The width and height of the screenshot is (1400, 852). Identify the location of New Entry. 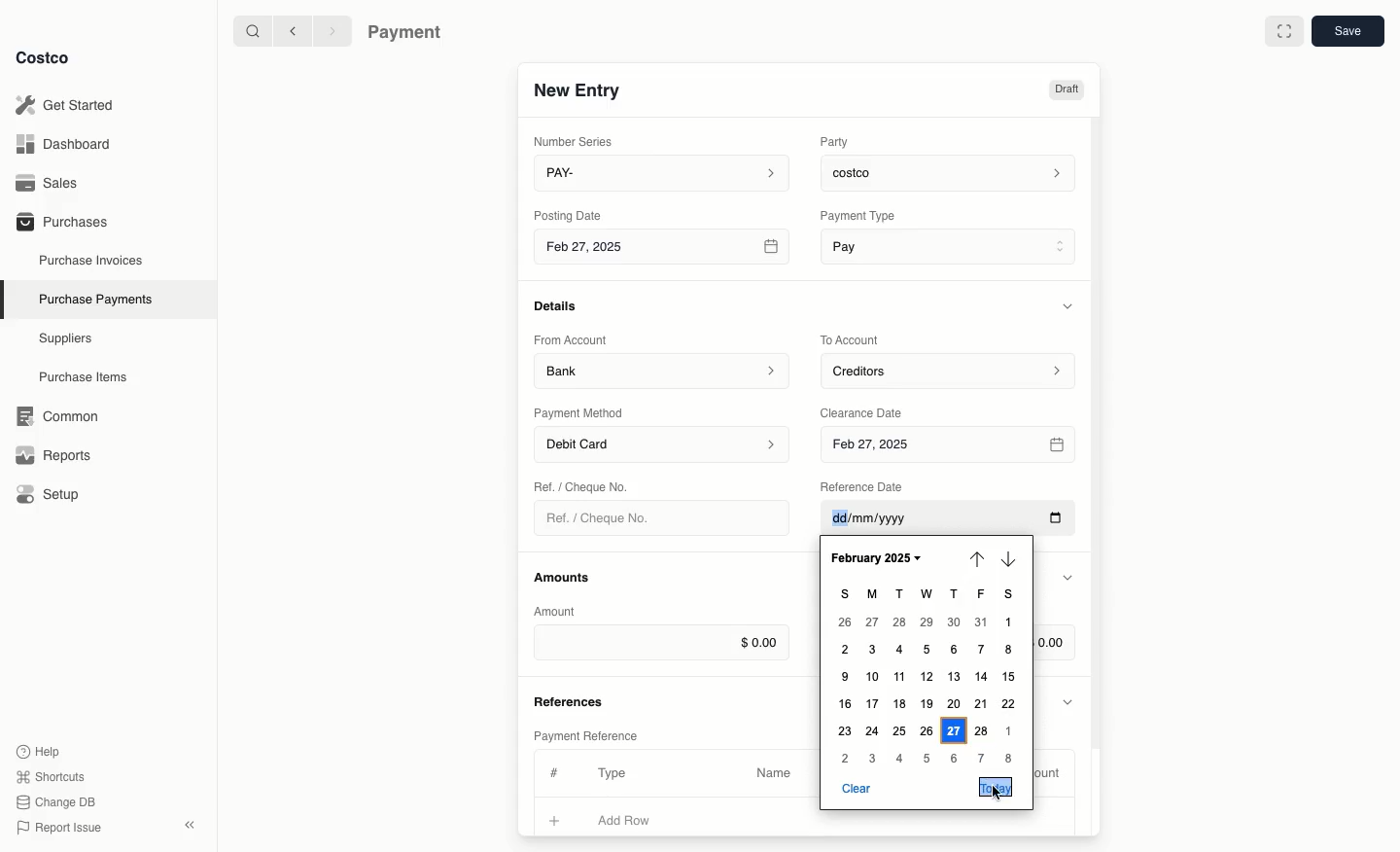
(578, 89).